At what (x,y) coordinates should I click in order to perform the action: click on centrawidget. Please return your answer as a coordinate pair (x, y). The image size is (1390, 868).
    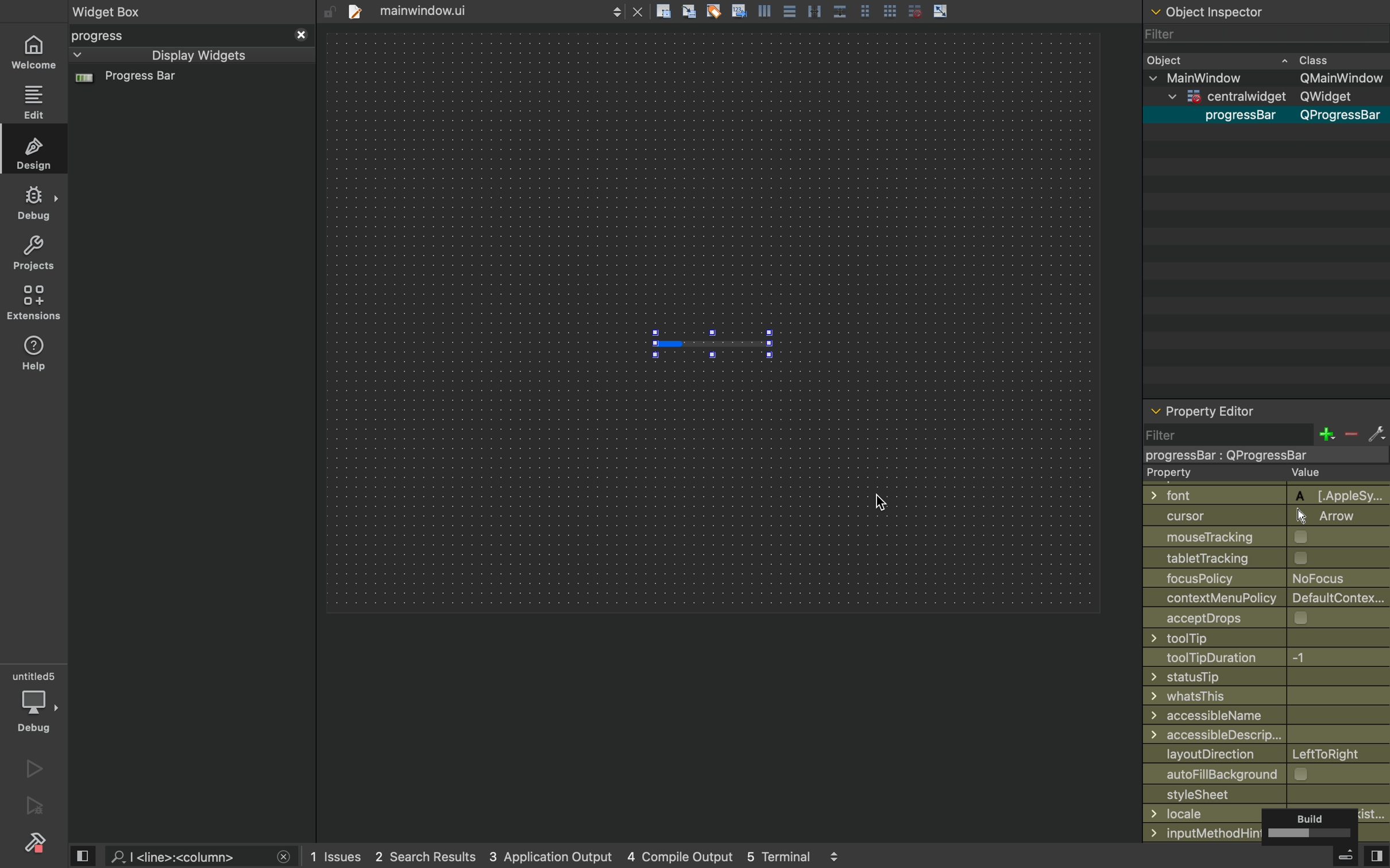
    Looking at the image, I should click on (1261, 98).